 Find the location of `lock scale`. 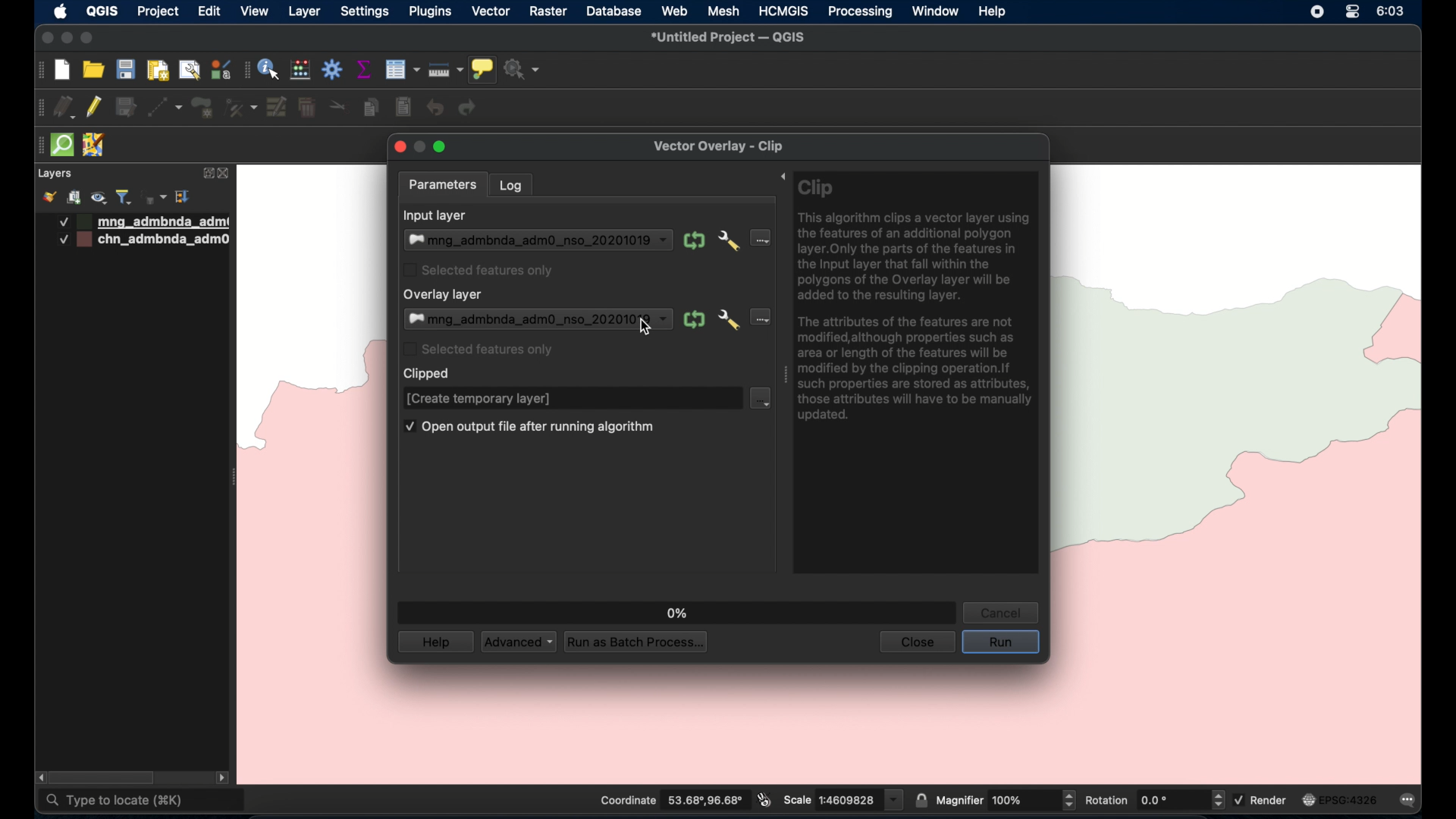

lock scale is located at coordinates (921, 799).